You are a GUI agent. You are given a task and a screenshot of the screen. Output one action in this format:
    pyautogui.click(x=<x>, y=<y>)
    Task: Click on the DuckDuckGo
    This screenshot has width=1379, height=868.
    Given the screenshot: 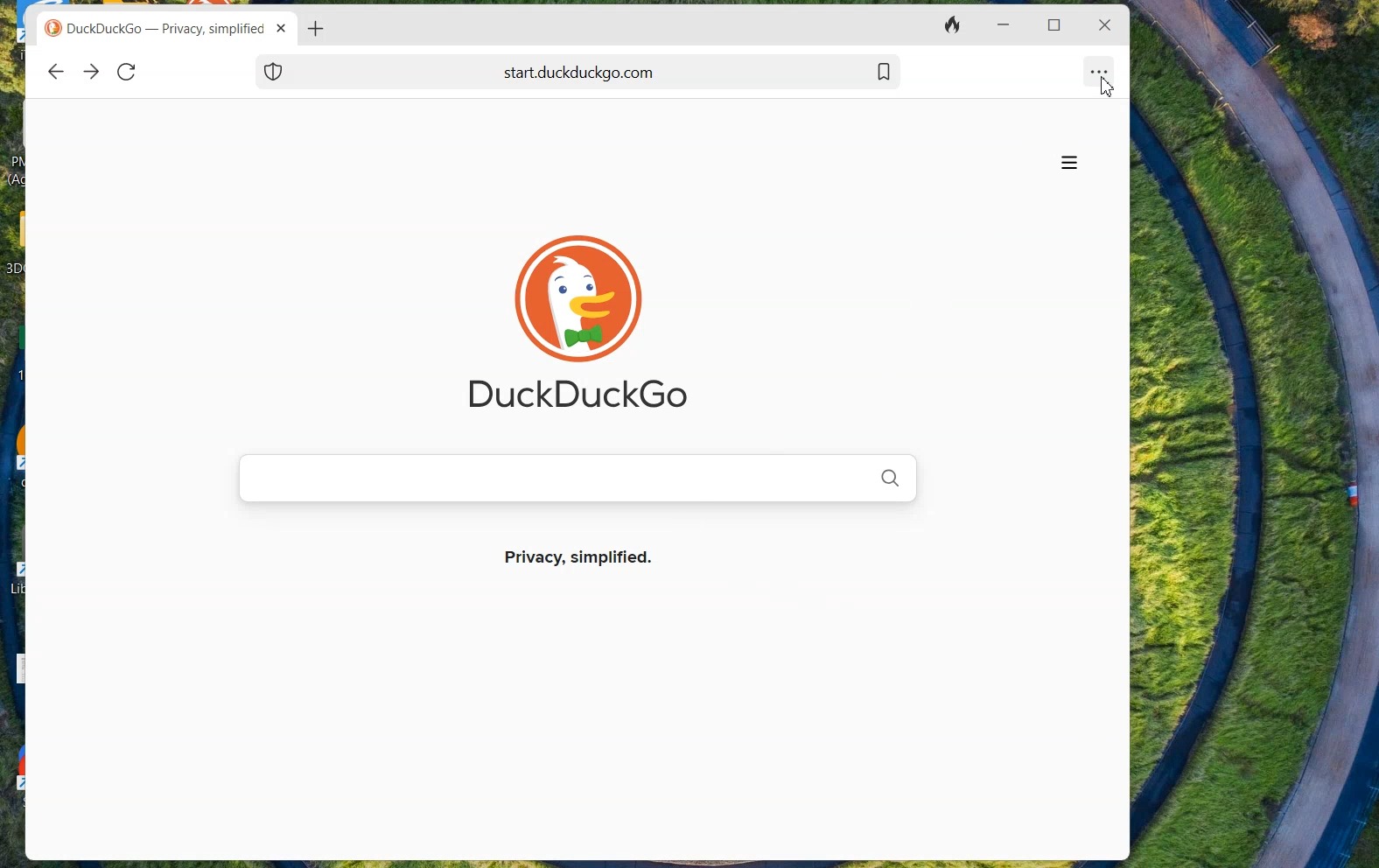 What is the action you would take?
    pyautogui.click(x=584, y=396)
    